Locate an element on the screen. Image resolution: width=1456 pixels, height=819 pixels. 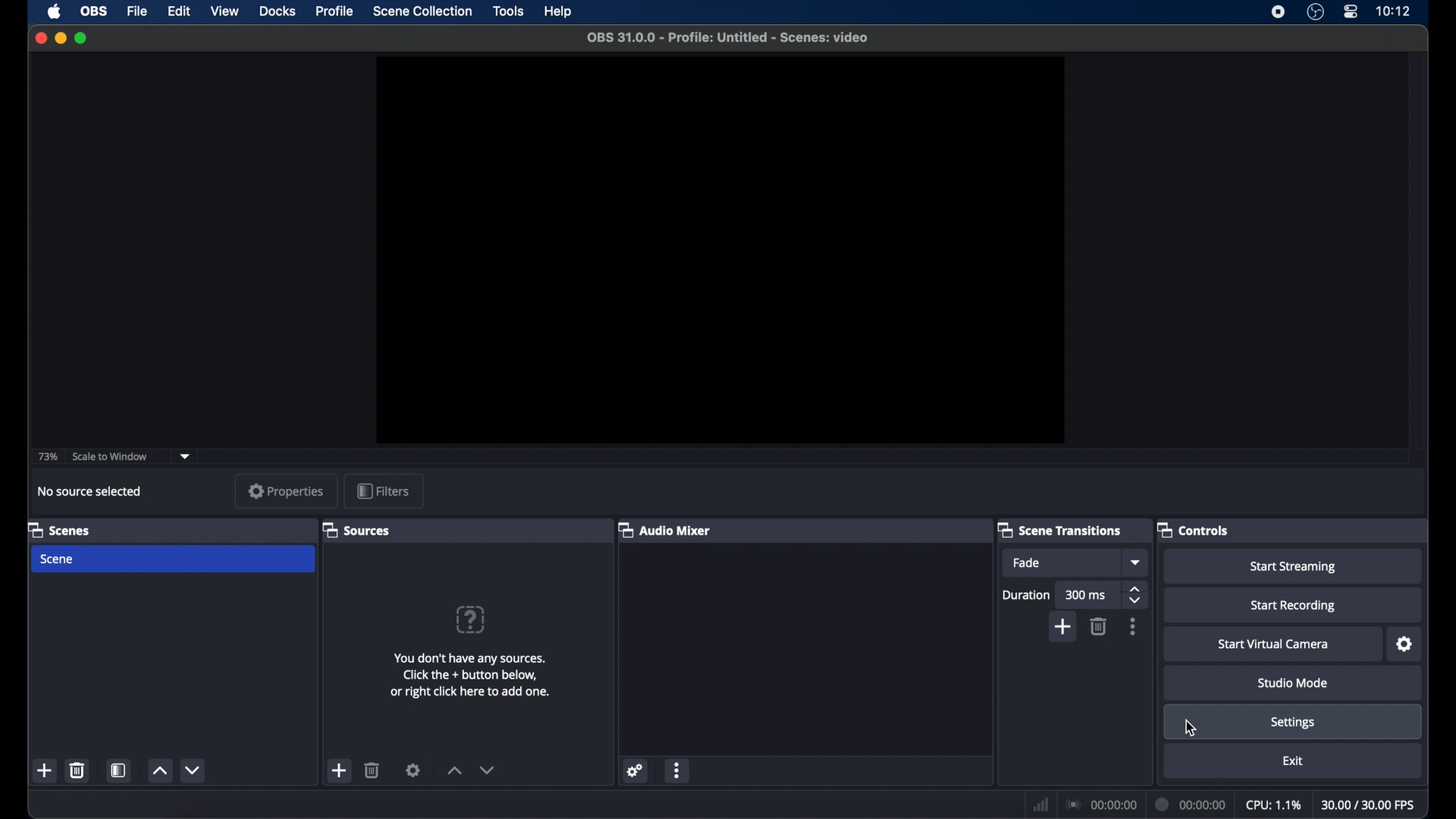
tools is located at coordinates (509, 11).